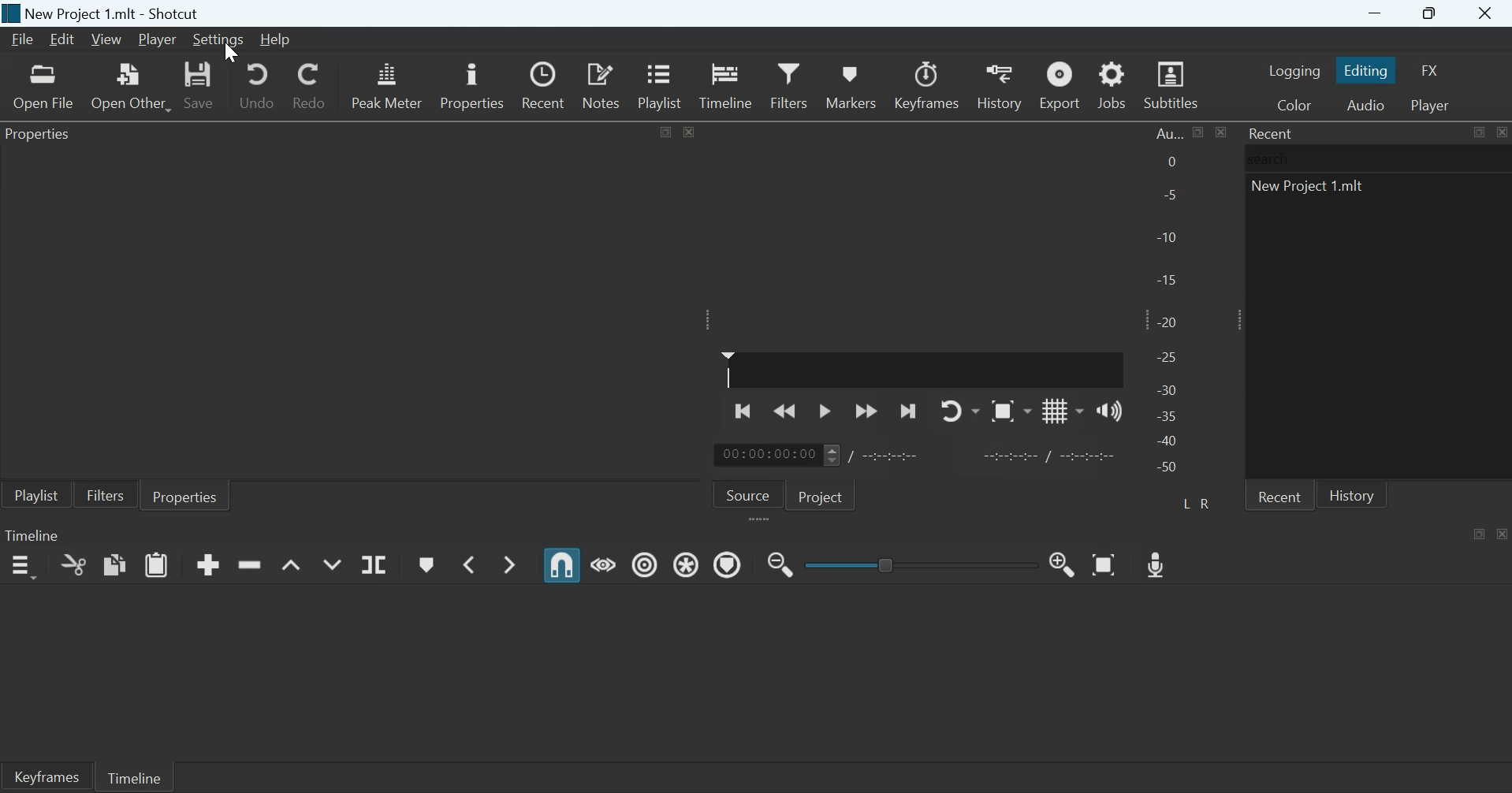 The image size is (1512, 793). I want to click on Help, so click(274, 39).